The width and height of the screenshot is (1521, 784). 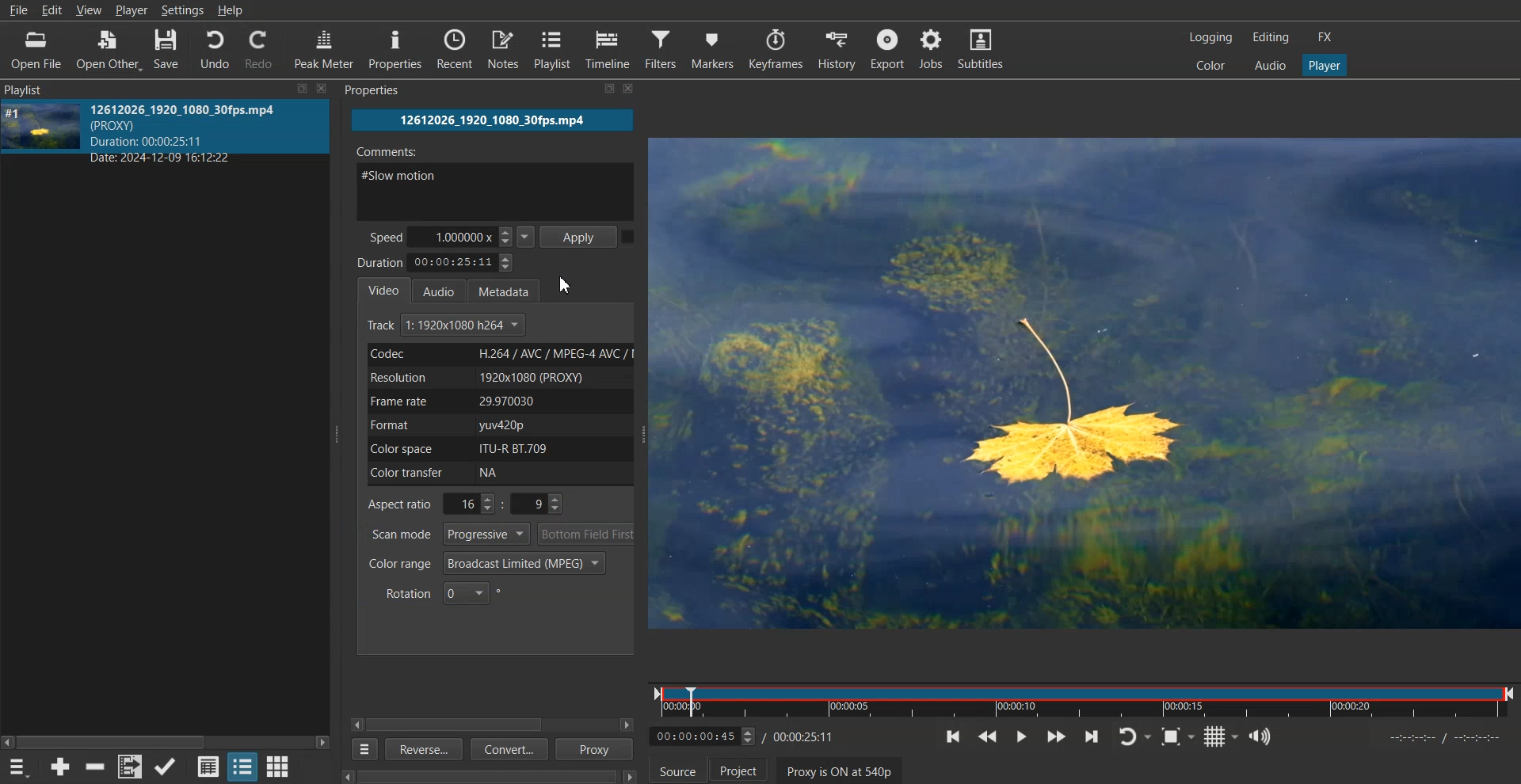 What do you see at coordinates (1020, 736) in the screenshot?
I see `Play` at bounding box center [1020, 736].